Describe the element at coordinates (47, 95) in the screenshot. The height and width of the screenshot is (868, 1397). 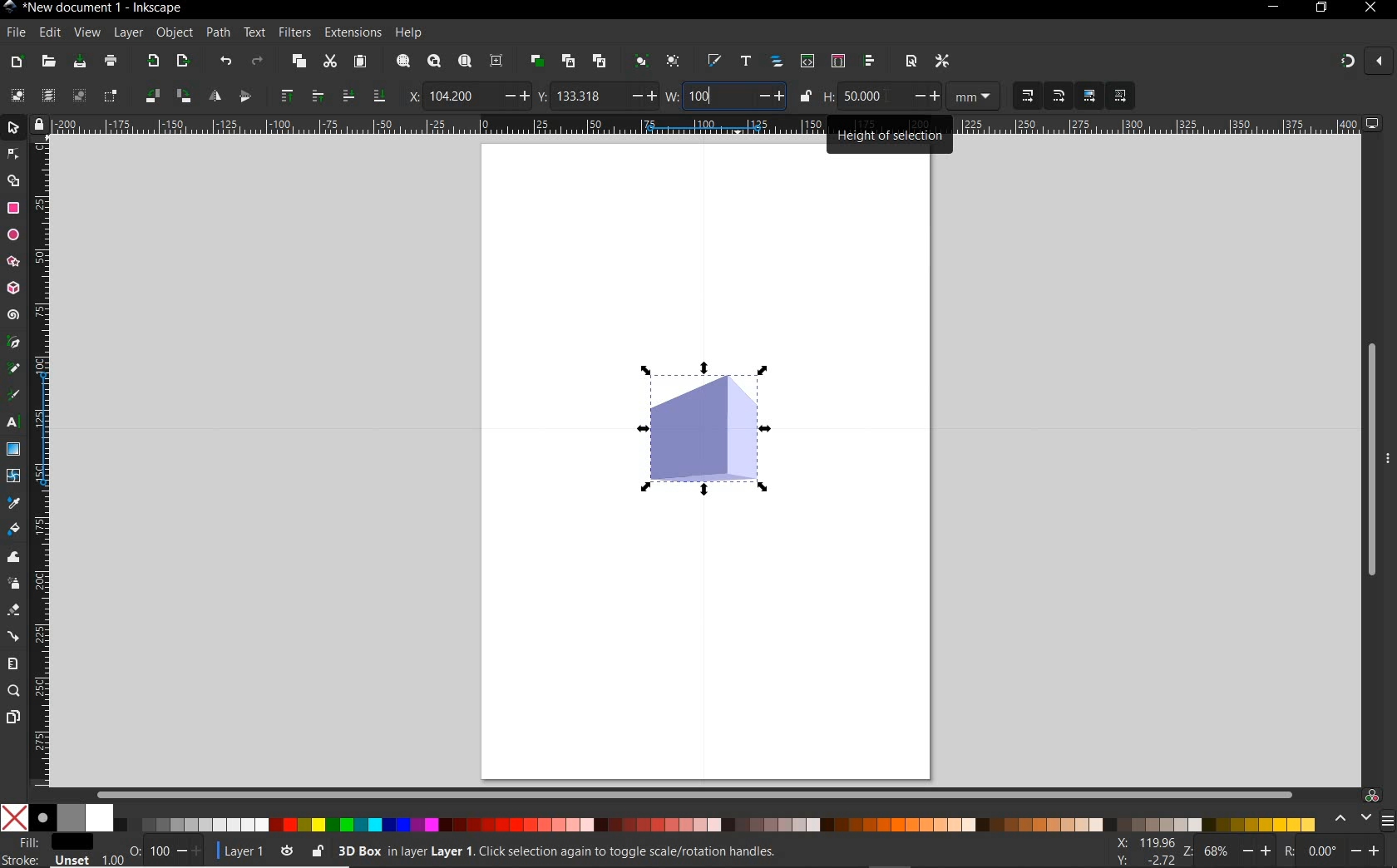
I see `select all in all layers` at that location.